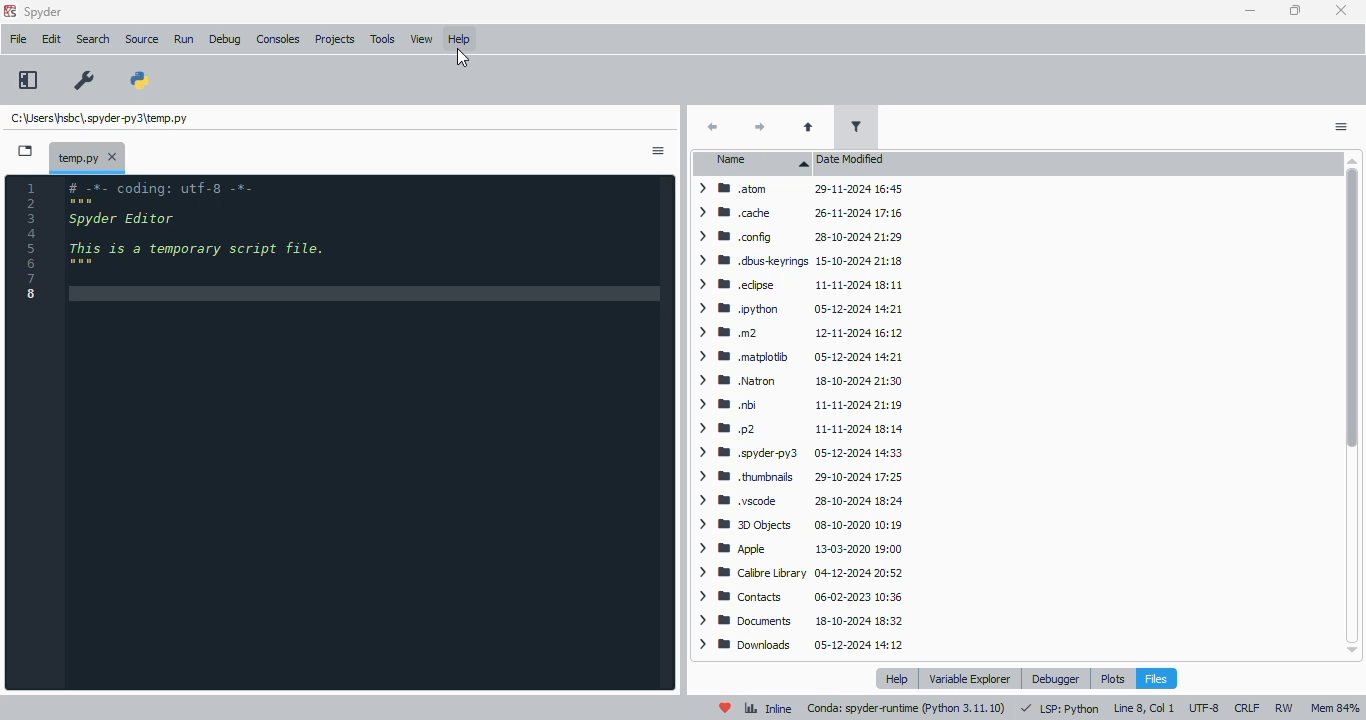 The image size is (1366, 720). Describe the element at coordinates (334, 41) in the screenshot. I see `projects` at that location.